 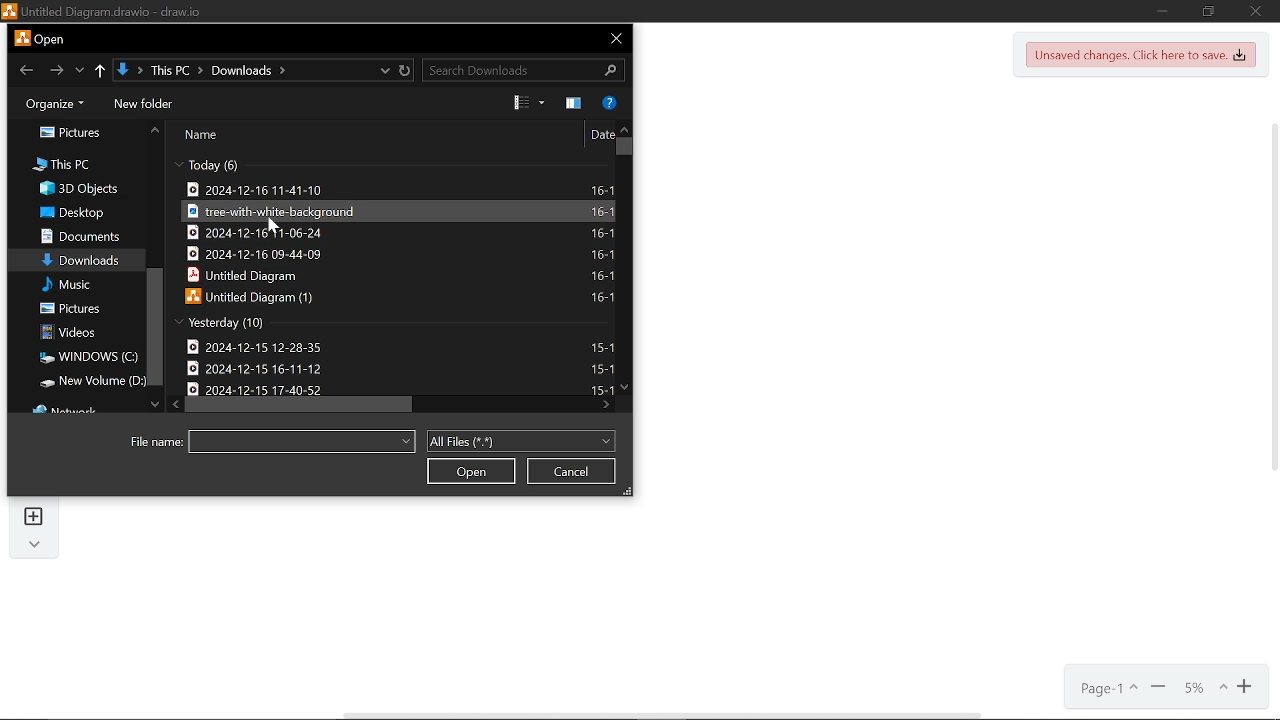 What do you see at coordinates (23, 70) in the screenshot?
I see `Previous` at bounding box center [23, 70].